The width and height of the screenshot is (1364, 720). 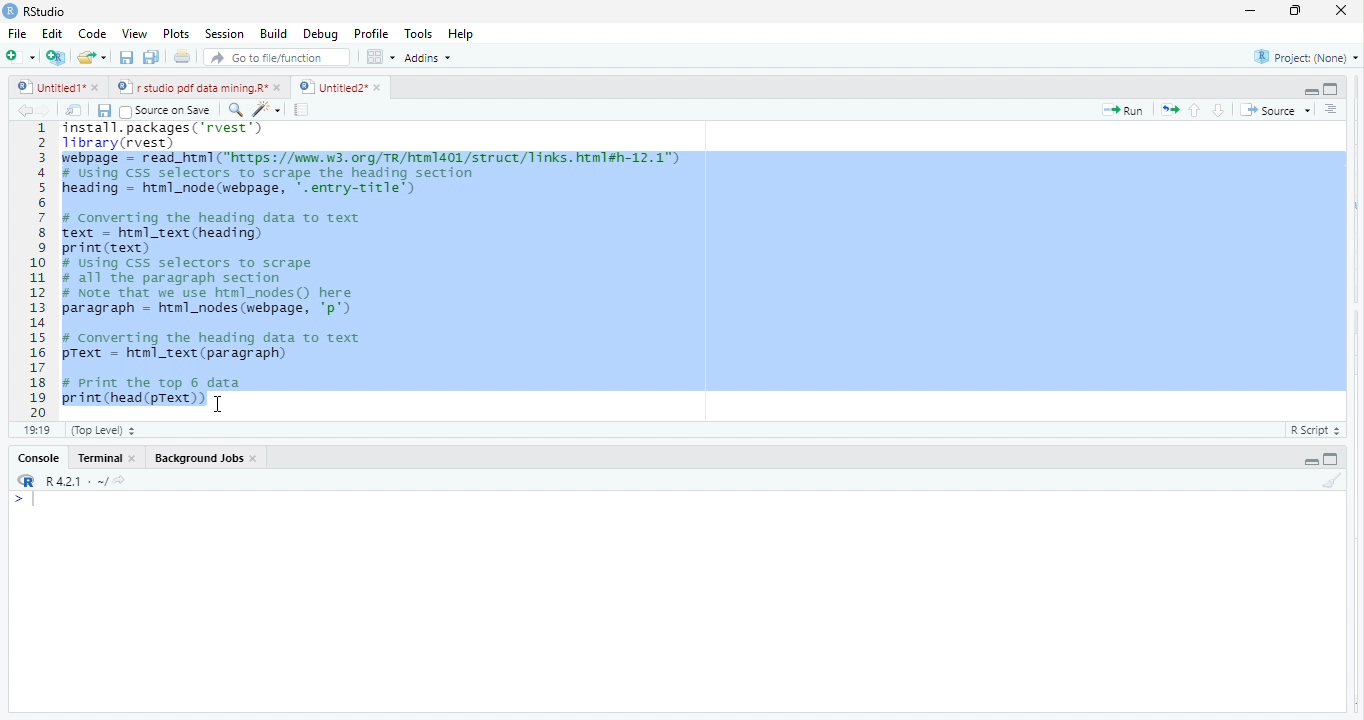 I want to click on ‘Session, so click(x=223, y=34).